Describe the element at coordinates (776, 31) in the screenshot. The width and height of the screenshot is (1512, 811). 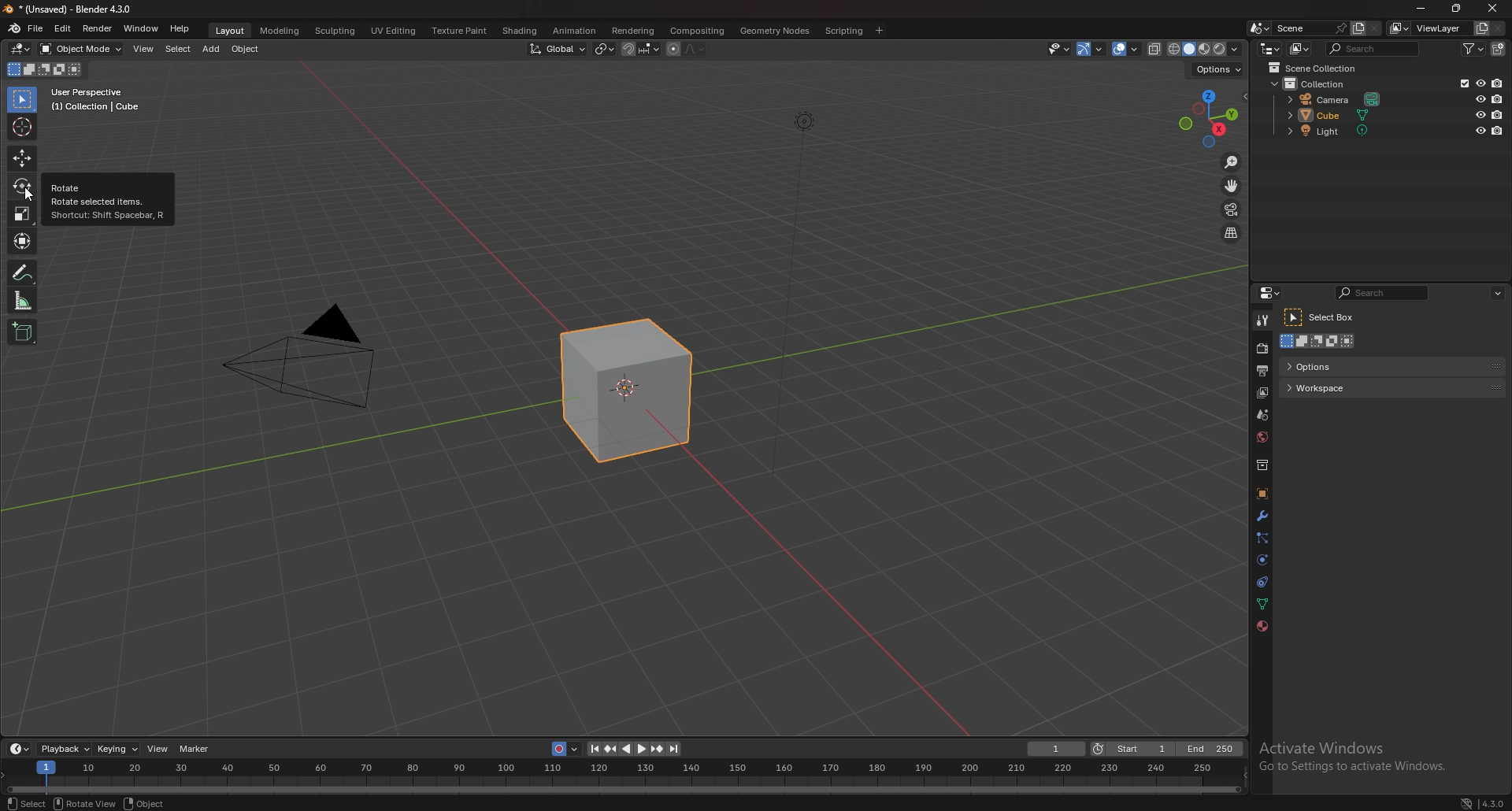
I see `geometry nodes` at that location.